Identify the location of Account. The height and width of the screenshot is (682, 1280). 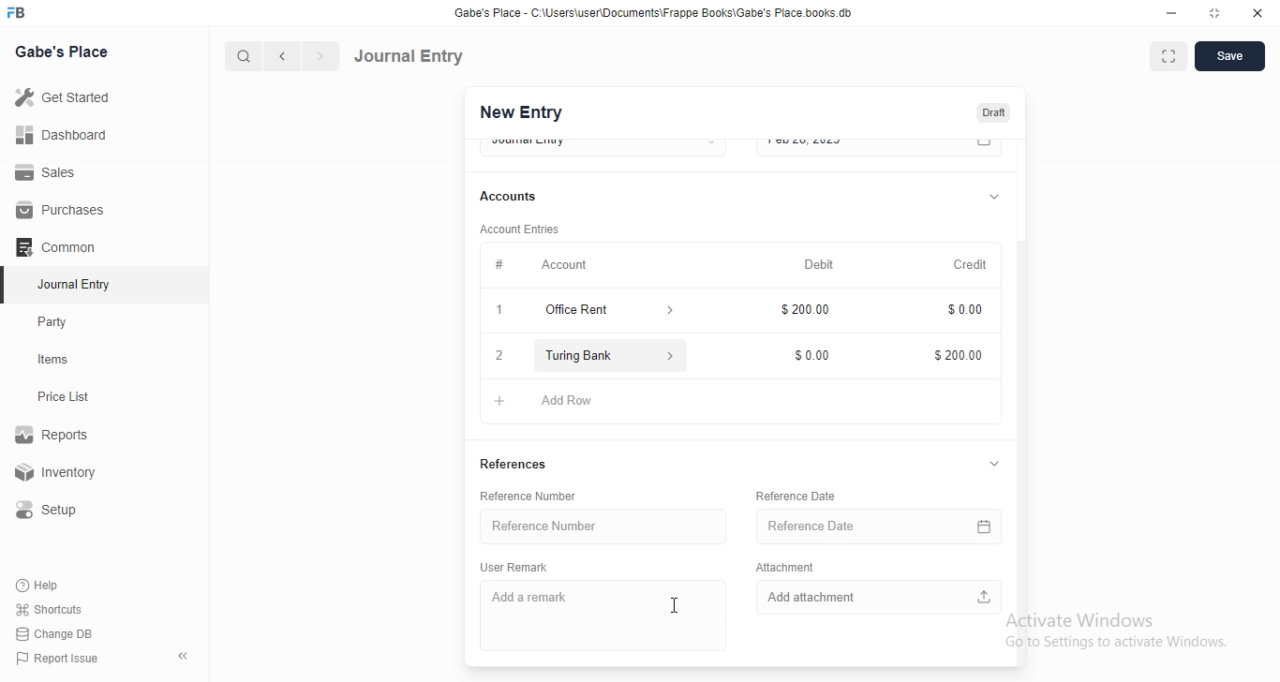
(566, 263).